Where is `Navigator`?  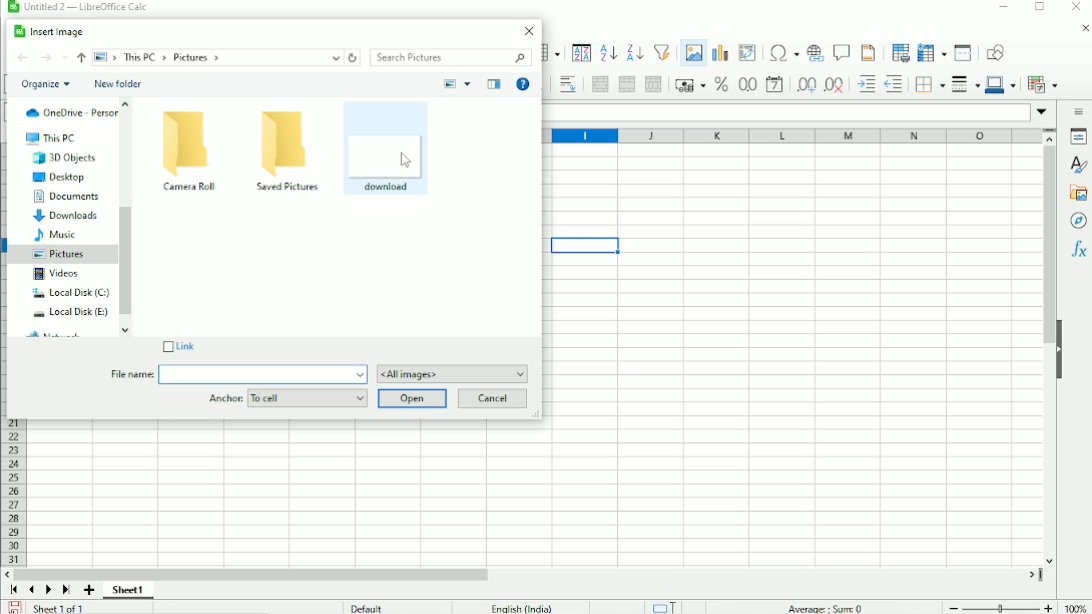 Navigator is located at coordinates (1076, 220).